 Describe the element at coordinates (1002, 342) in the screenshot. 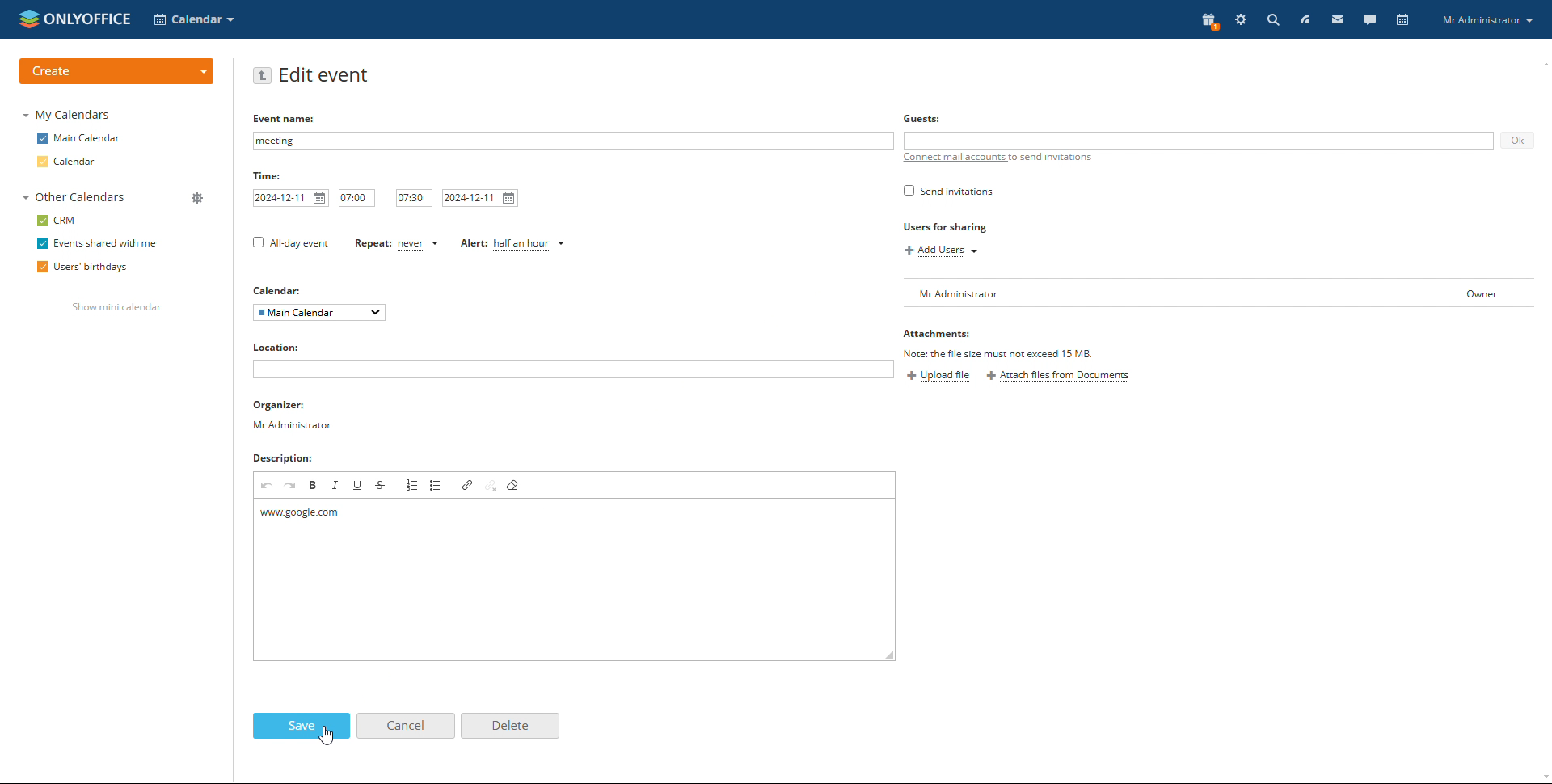

I see `Attachments: Note: the file size must not exceed 15 MB.` at that location.